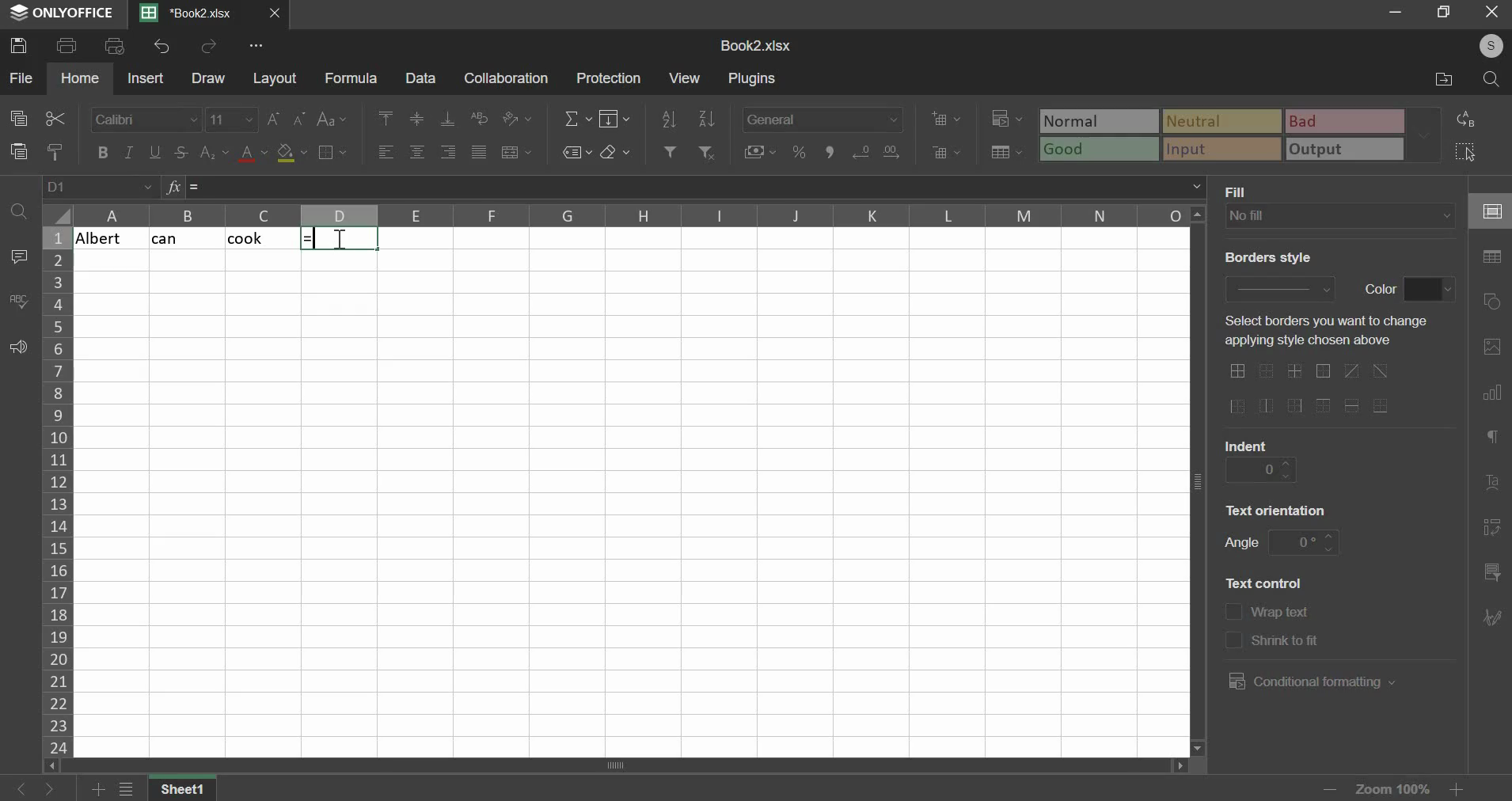  What do you see at coordinates (615, 152) in the screenshot?
I see `clear` at bounding box center [615, 152].